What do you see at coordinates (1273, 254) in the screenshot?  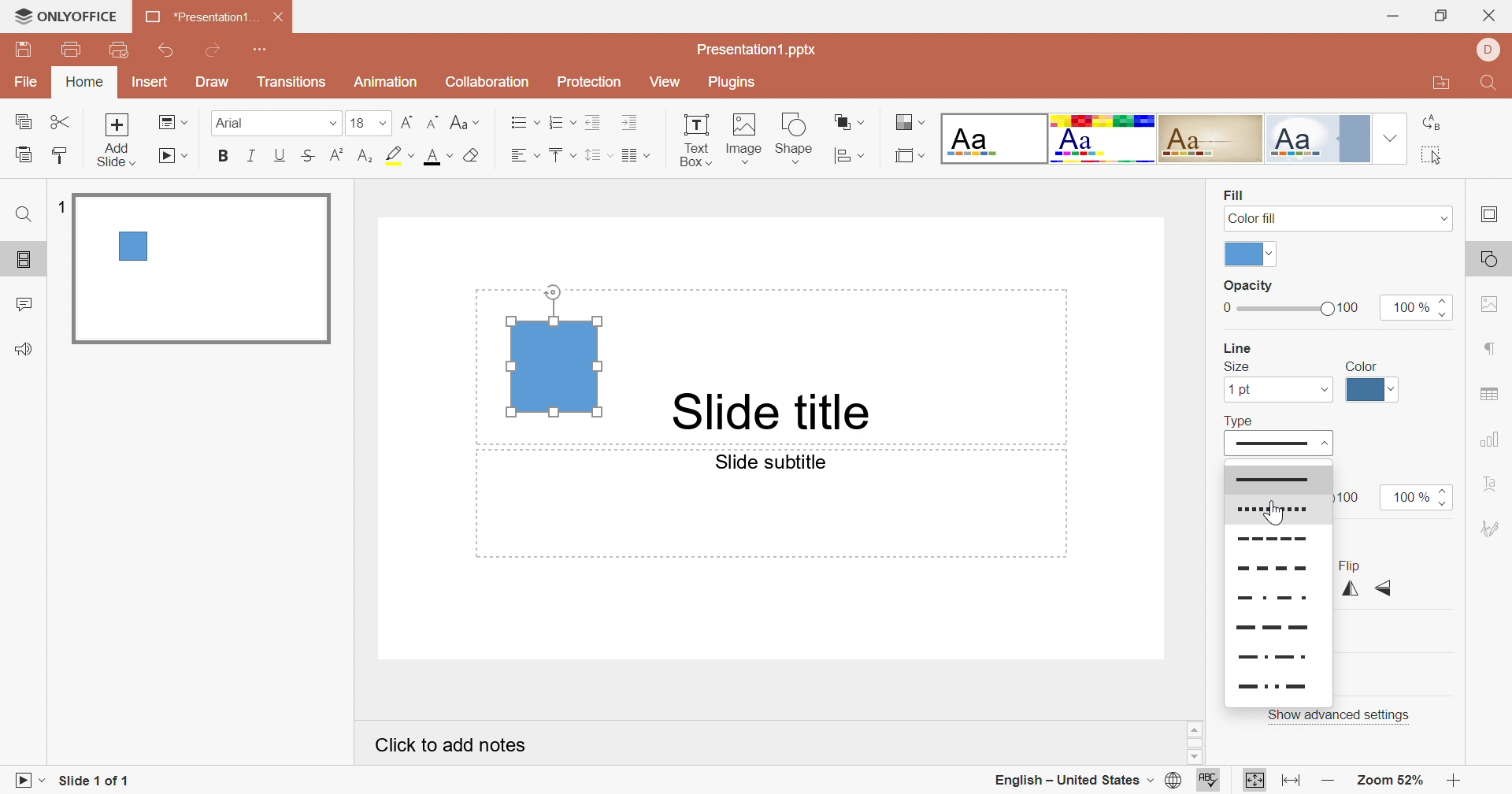 I see `Drop Down` at bounding box center [1273, 254].